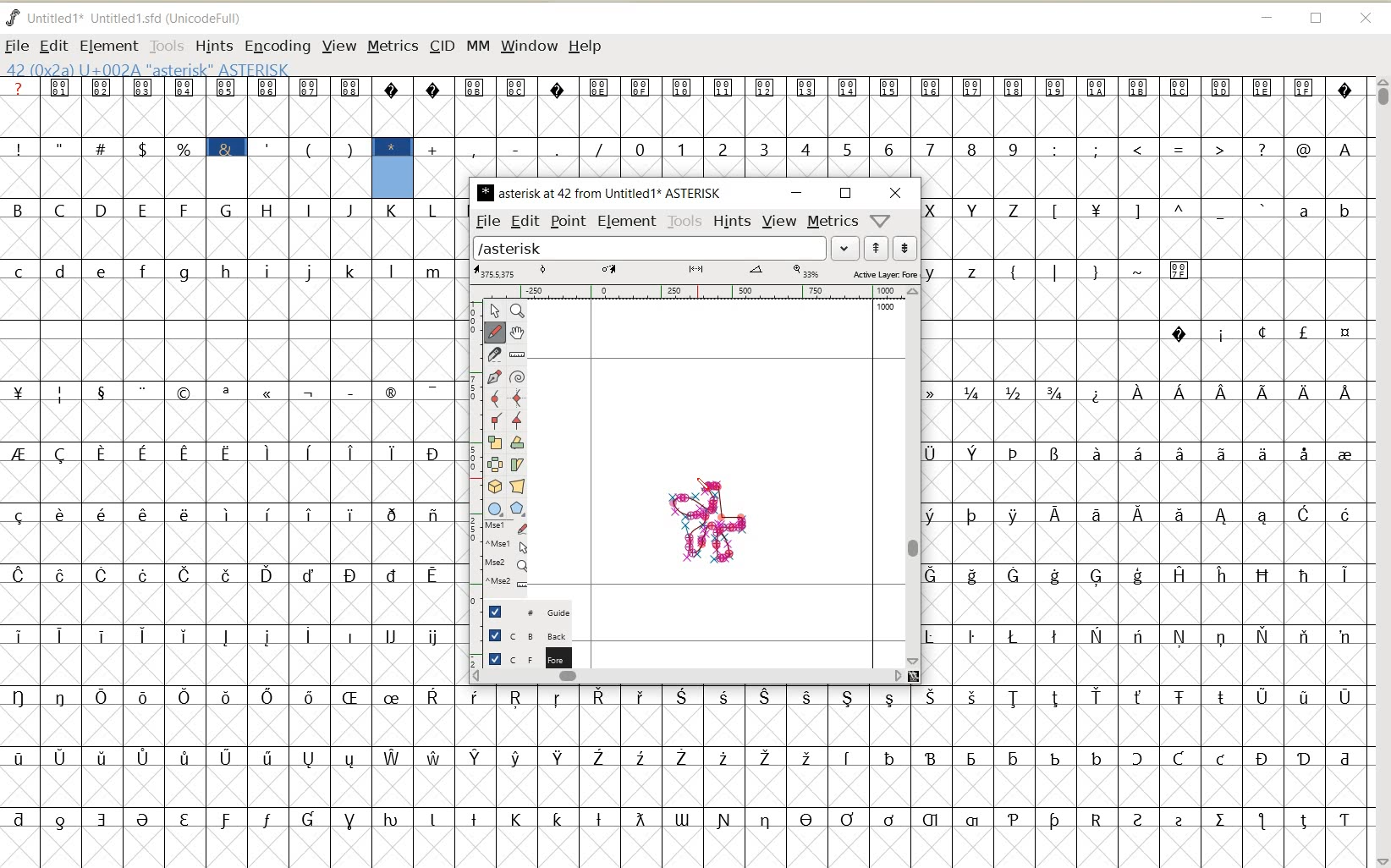 Image resolution: width=1391 pixels, height=868 pixels. What do you see at coordinates (915, 477) in the screenshot?
I see `SCROLLBAR` at bounding box center [915, 477].